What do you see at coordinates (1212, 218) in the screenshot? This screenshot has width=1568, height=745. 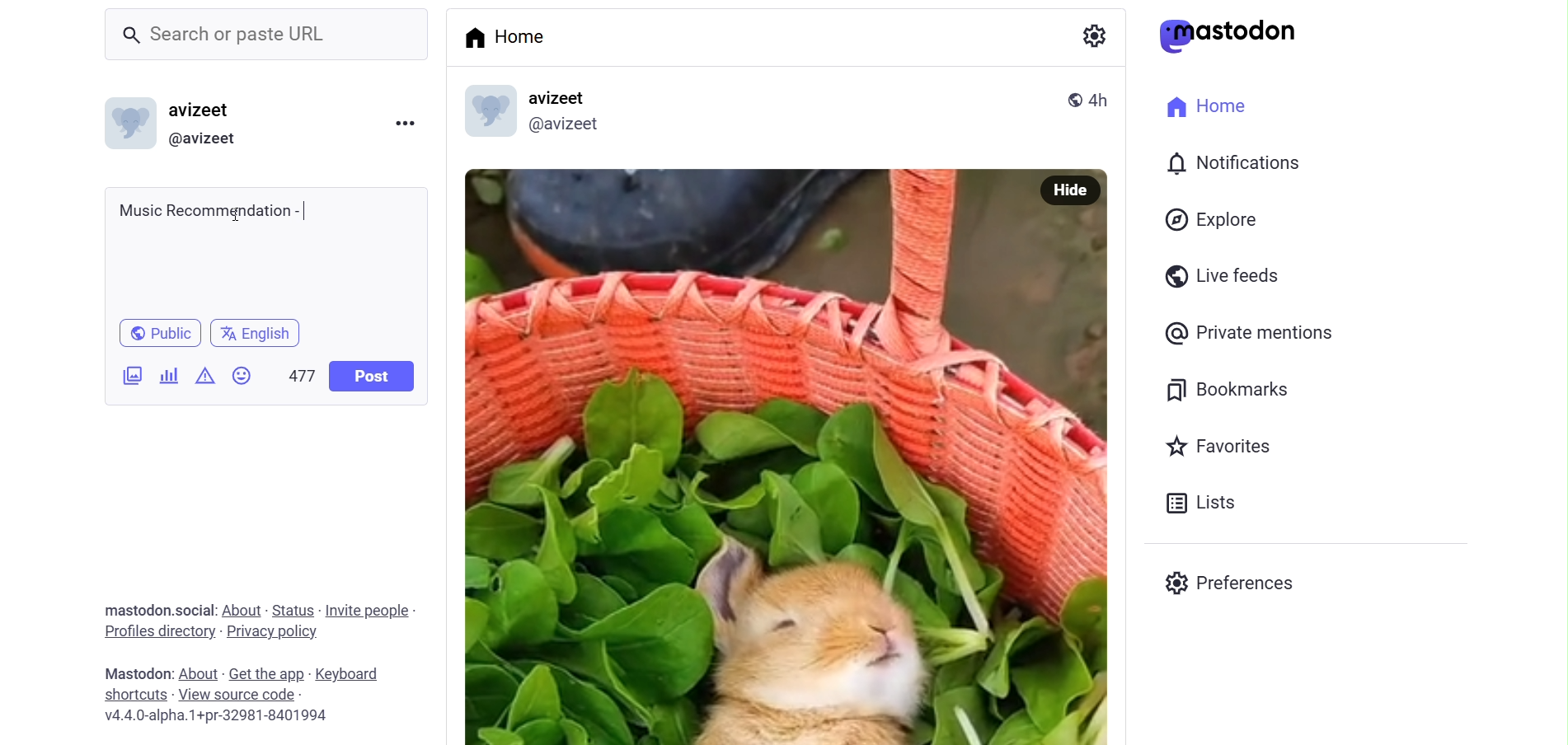 I see `Explore` at bounding box center [1212, 218].